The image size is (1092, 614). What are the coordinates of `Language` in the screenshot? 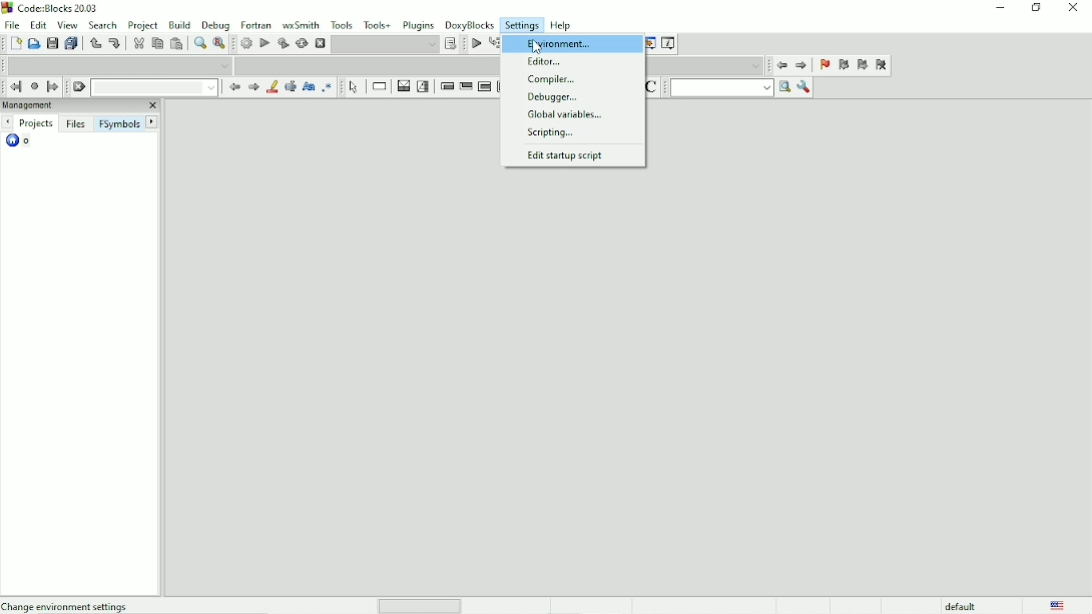 It's located at (1058, 605).